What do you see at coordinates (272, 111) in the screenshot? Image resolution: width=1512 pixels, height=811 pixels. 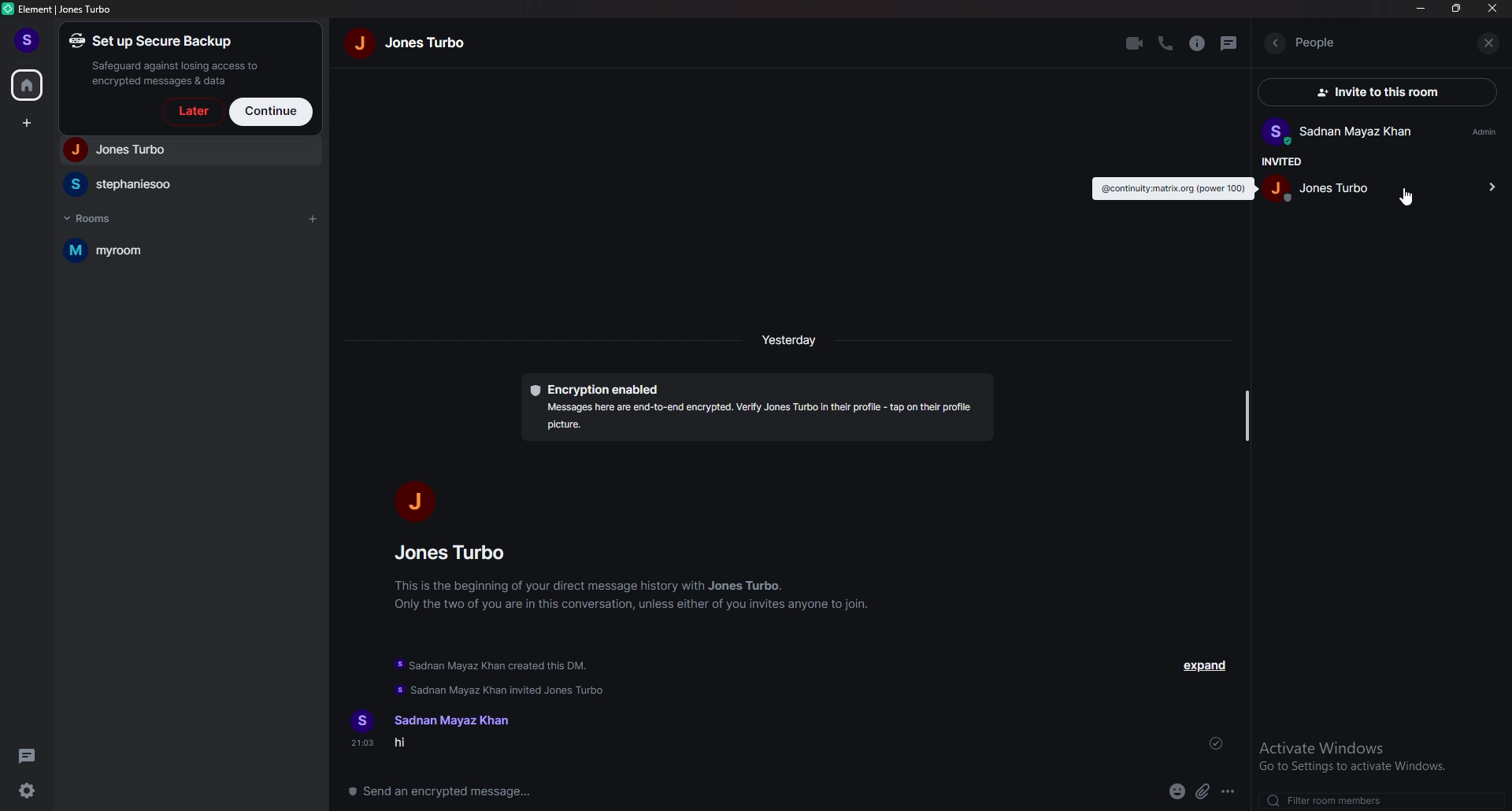 I see `continue` at bounding box center [272, 111].